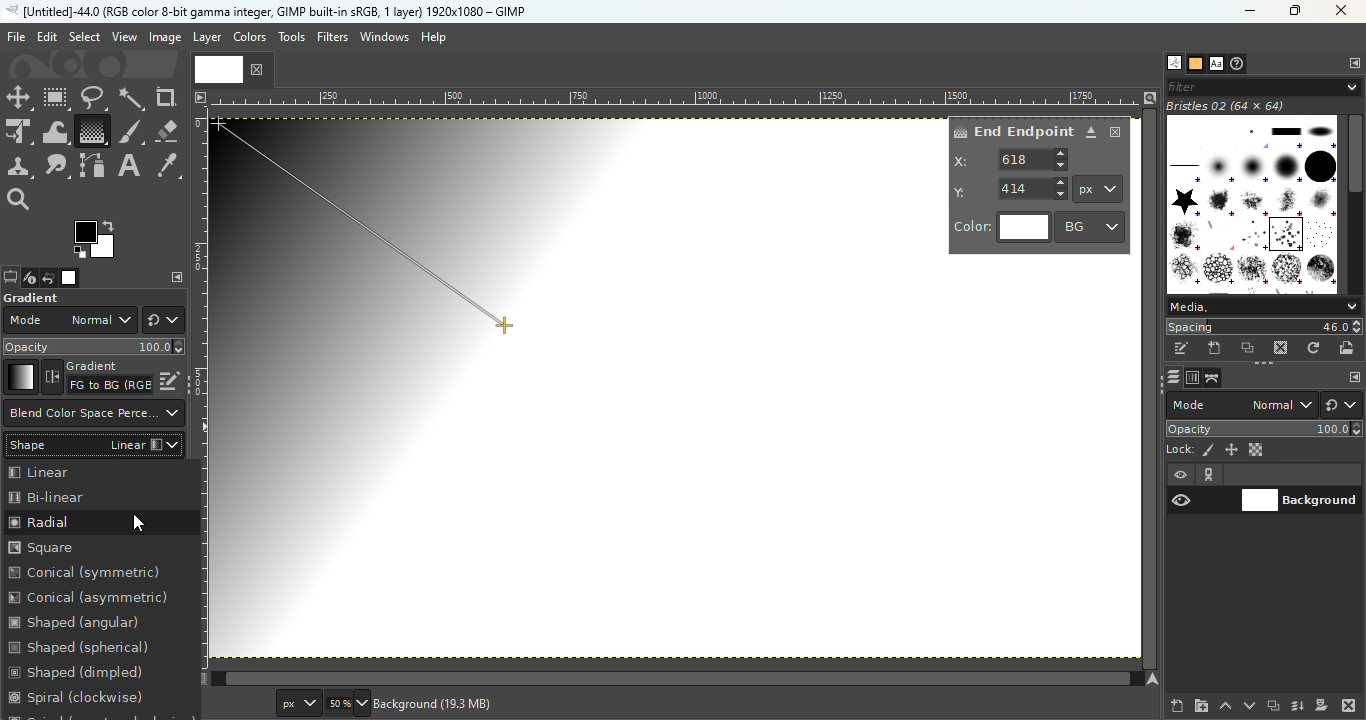  What do you see at coordinates (1322, 705) in the screenshot?
I see `Add a mask that allows non destructive editing of transperency` at bounding box center [1322, 705].